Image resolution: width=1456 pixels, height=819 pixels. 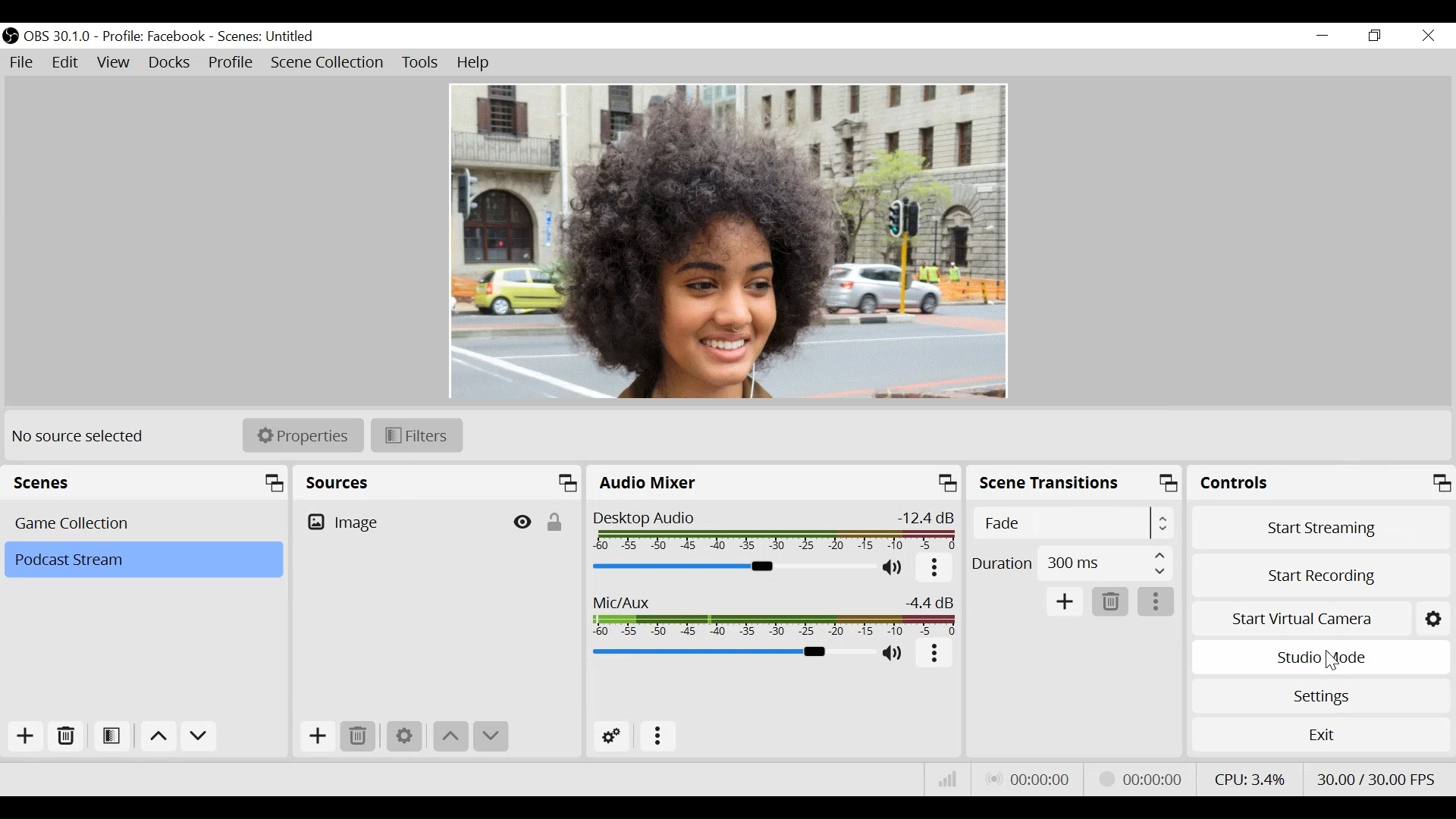 What do you see at coordinates (360, 736) in the screenshot?
I see `Remove` at bounding box center [360, 736].